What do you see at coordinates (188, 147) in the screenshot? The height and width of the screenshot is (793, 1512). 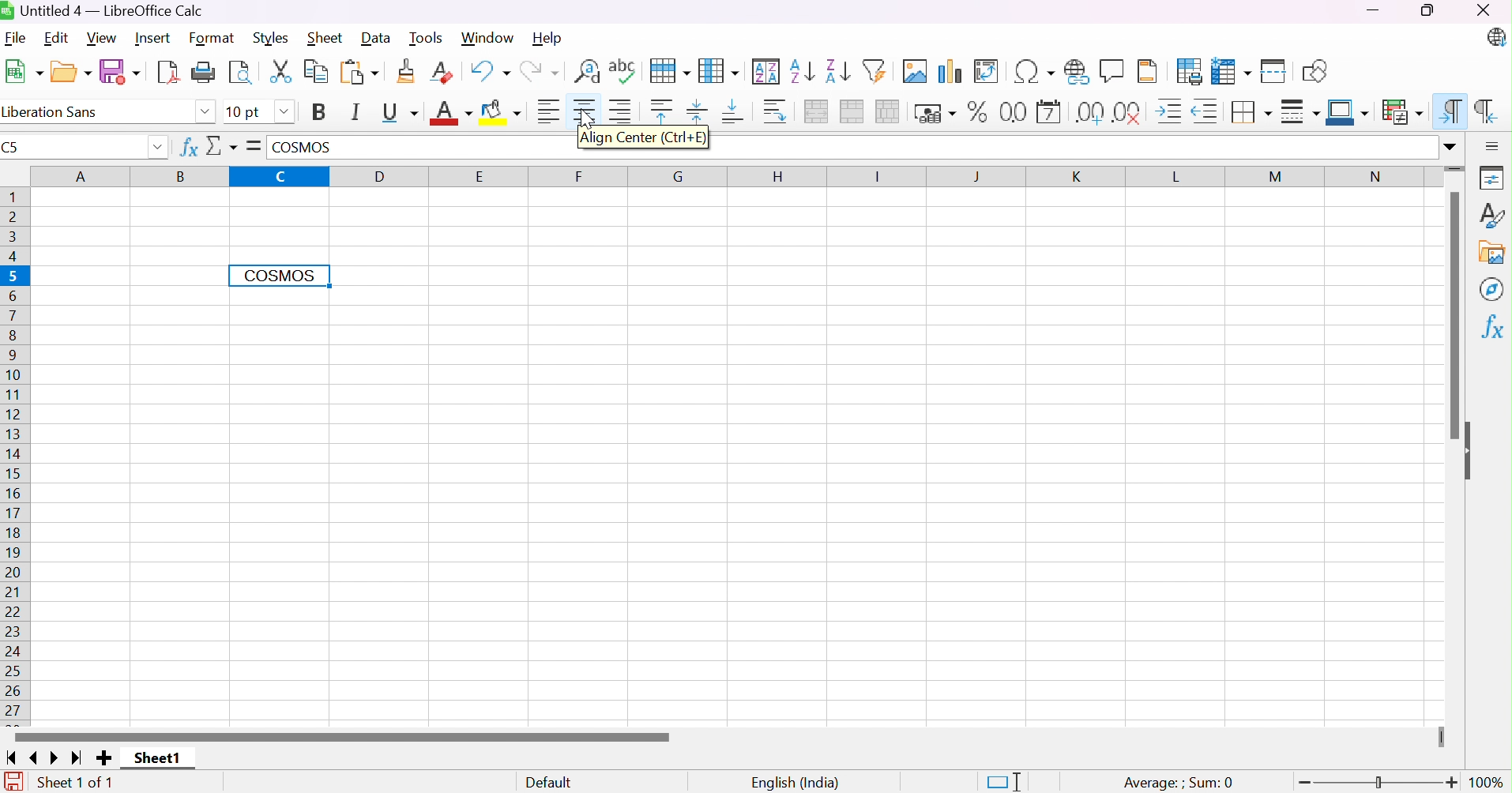 I see `Function Wizard` at bounding box center [188, 147].